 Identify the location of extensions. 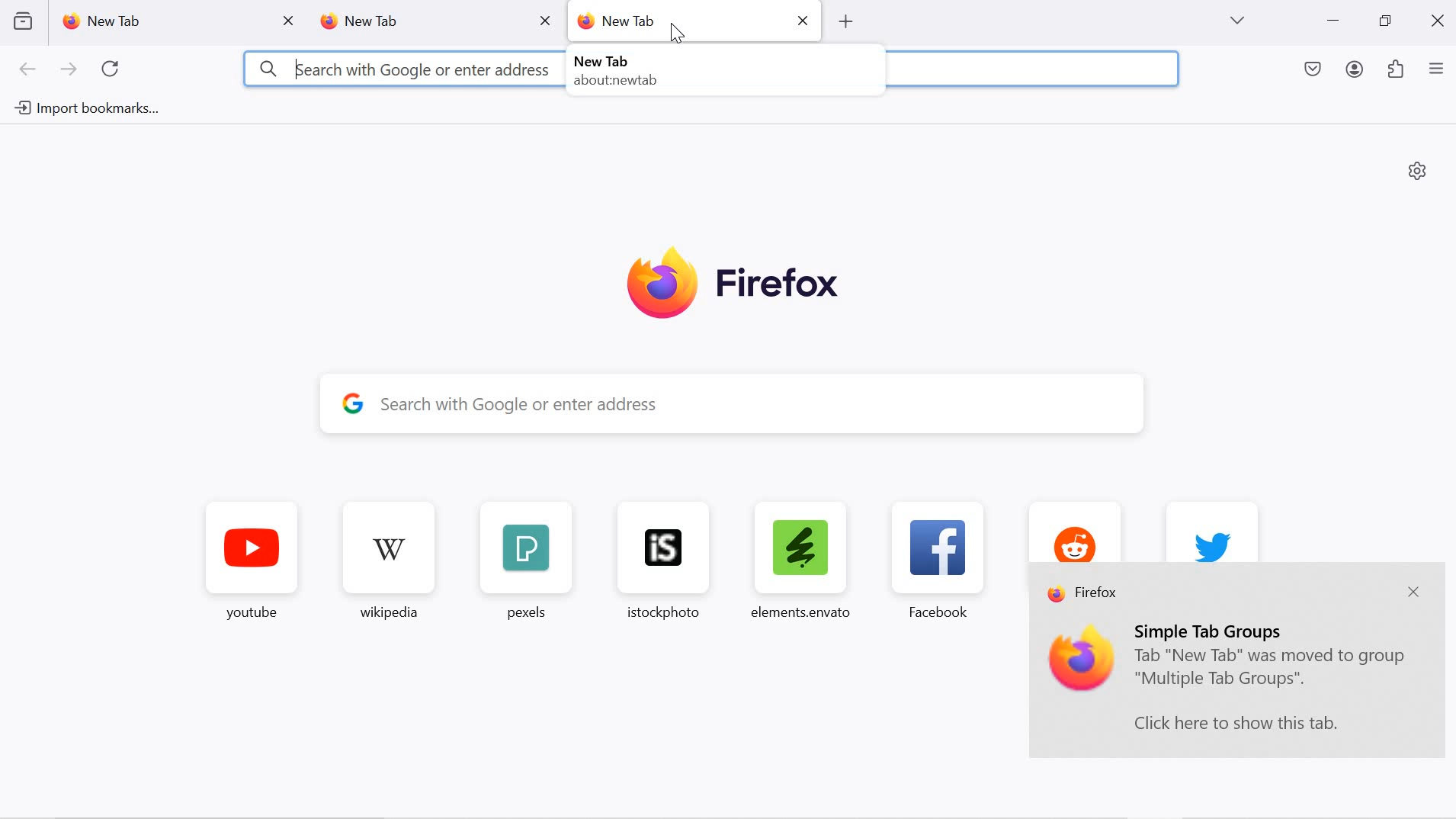
(1397, 71).